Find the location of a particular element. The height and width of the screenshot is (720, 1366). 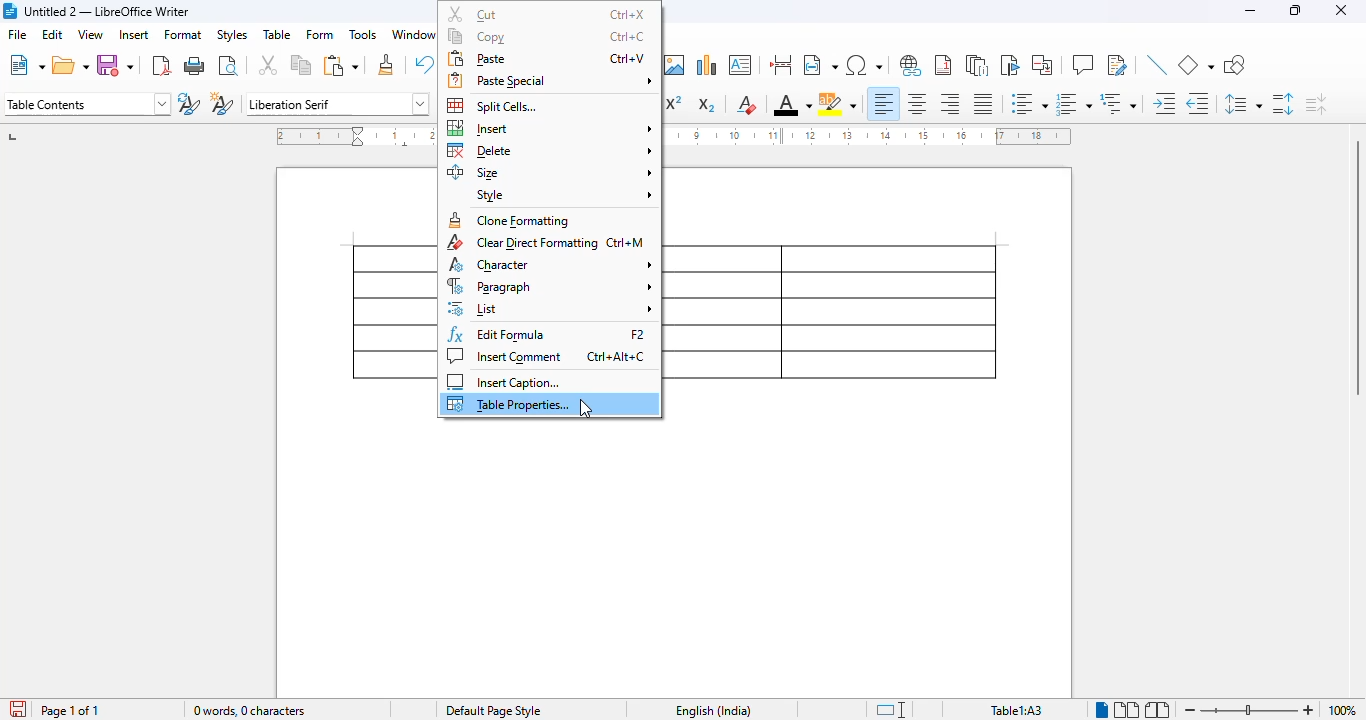

show track changes functions is located at coordinates (1118, 65).